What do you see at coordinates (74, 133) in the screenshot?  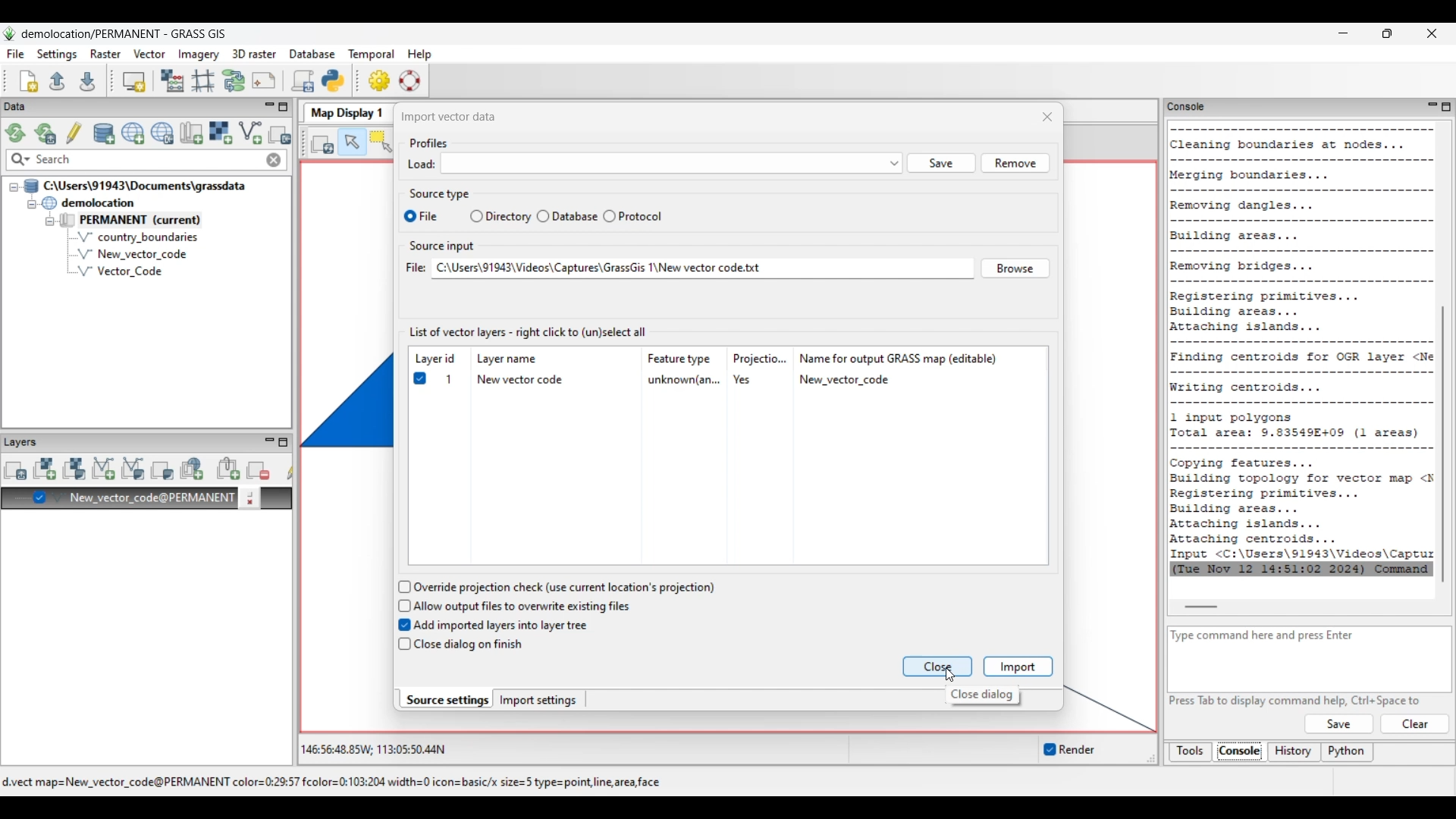 I see `Allow edits outside of the current mapset` at bounding box center [74, 133].